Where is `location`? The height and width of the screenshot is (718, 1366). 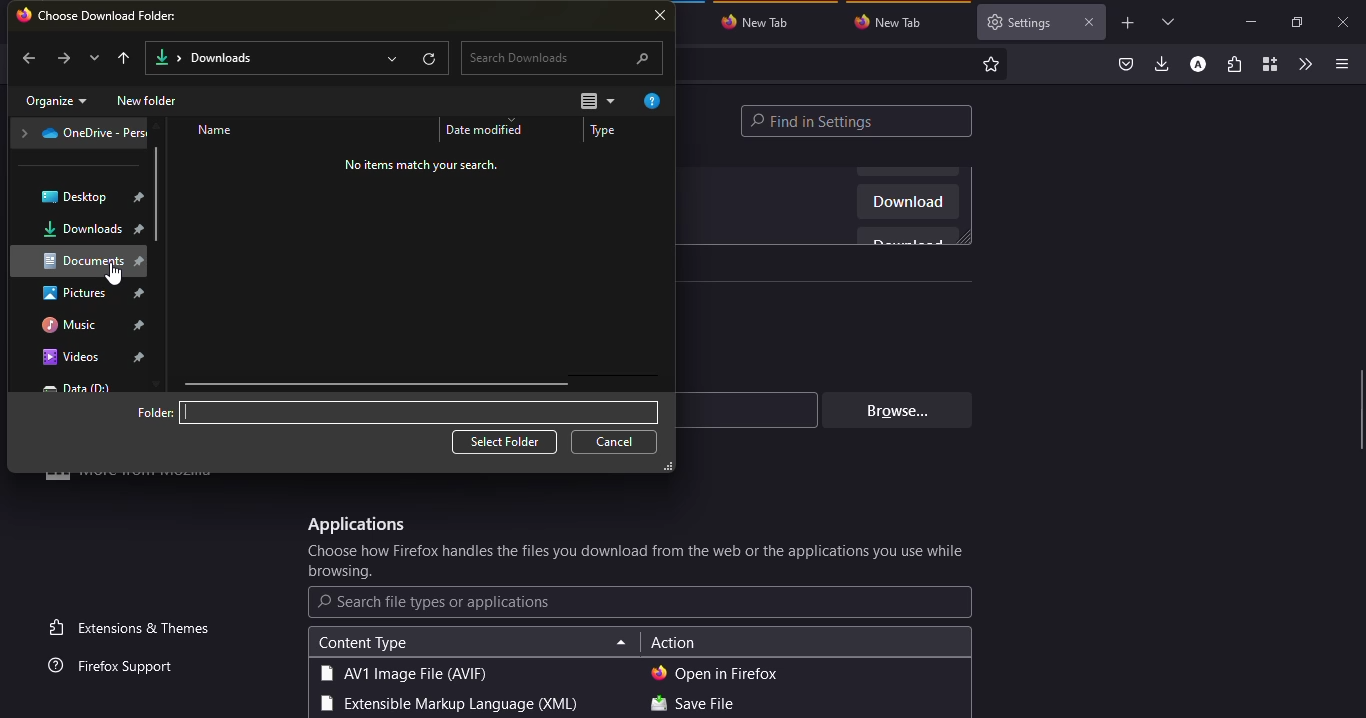
location is located at coordinates (81, 259).